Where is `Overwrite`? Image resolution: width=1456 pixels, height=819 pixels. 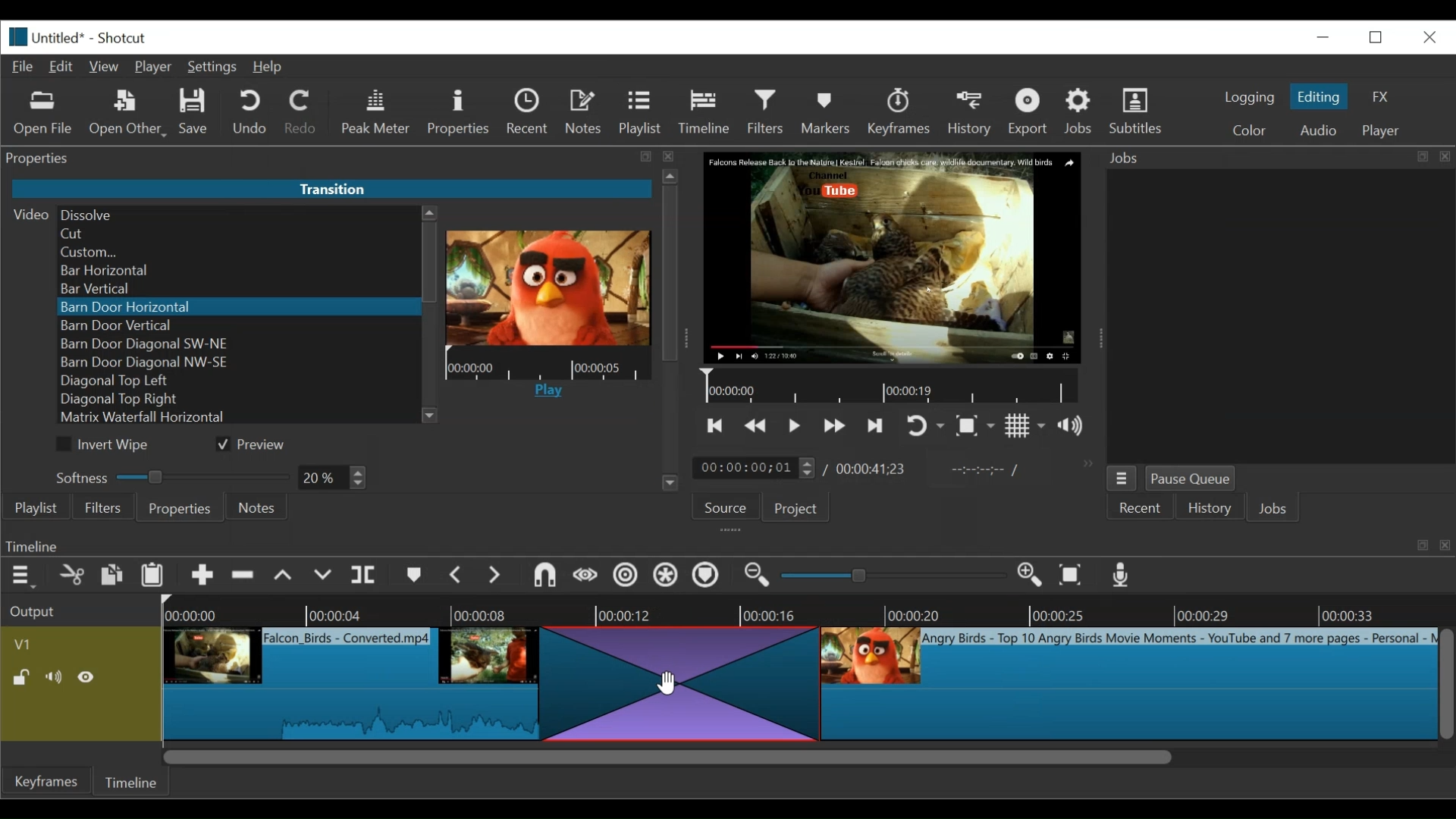 Overwrite is located at coordinates (322, 575).